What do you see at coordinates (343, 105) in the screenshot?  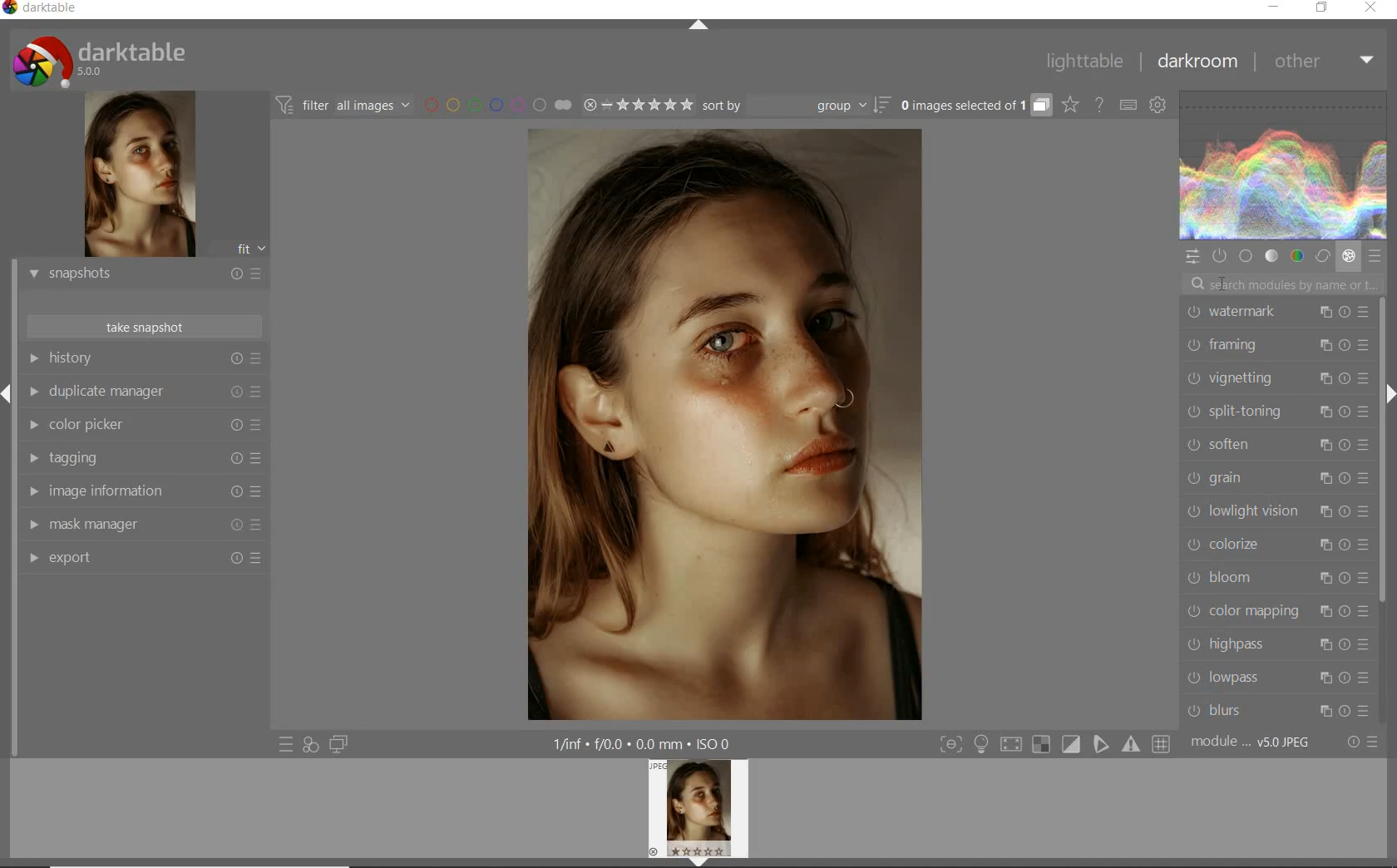 I see `filter images based on their modules` at bounding box center [343, 105].